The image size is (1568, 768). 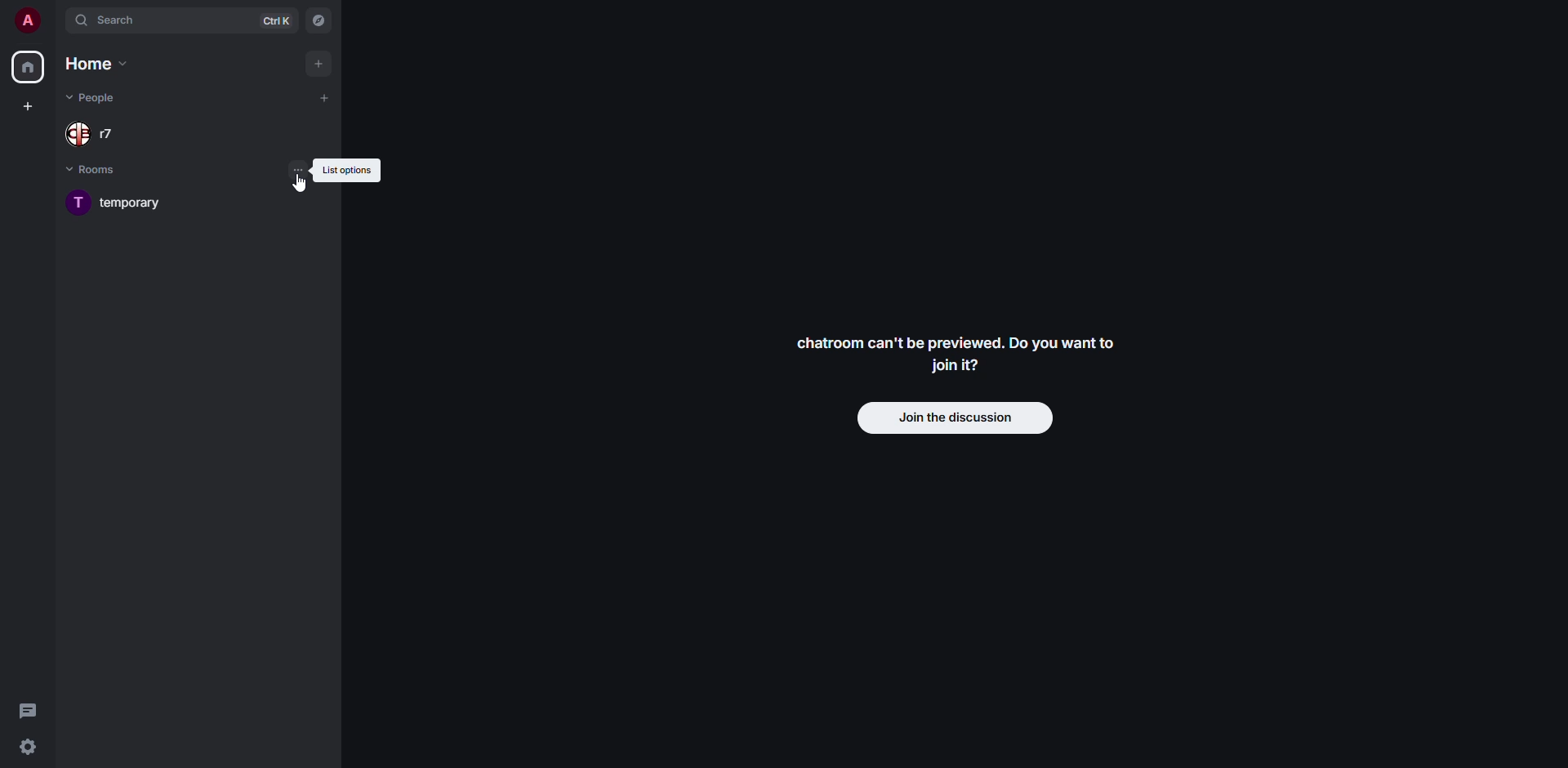 What do you see at coordinates (100, 64) in the screenshot?
I see `home` at bounding box center [100, 64].